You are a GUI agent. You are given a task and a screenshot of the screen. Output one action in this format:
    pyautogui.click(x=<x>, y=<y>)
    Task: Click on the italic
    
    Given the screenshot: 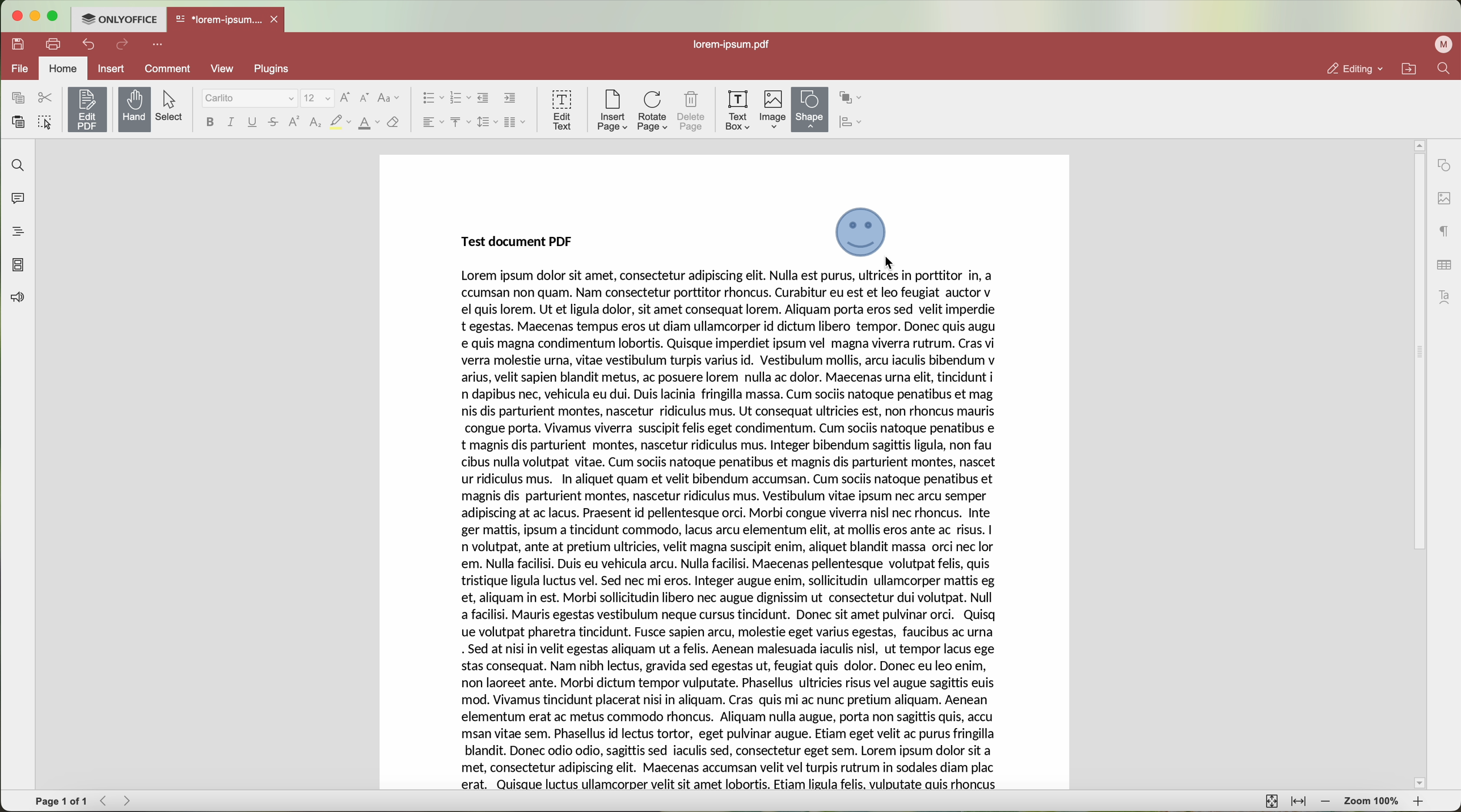 What is the action you would take?
    pyautogui.click(x=230, y=121)
    